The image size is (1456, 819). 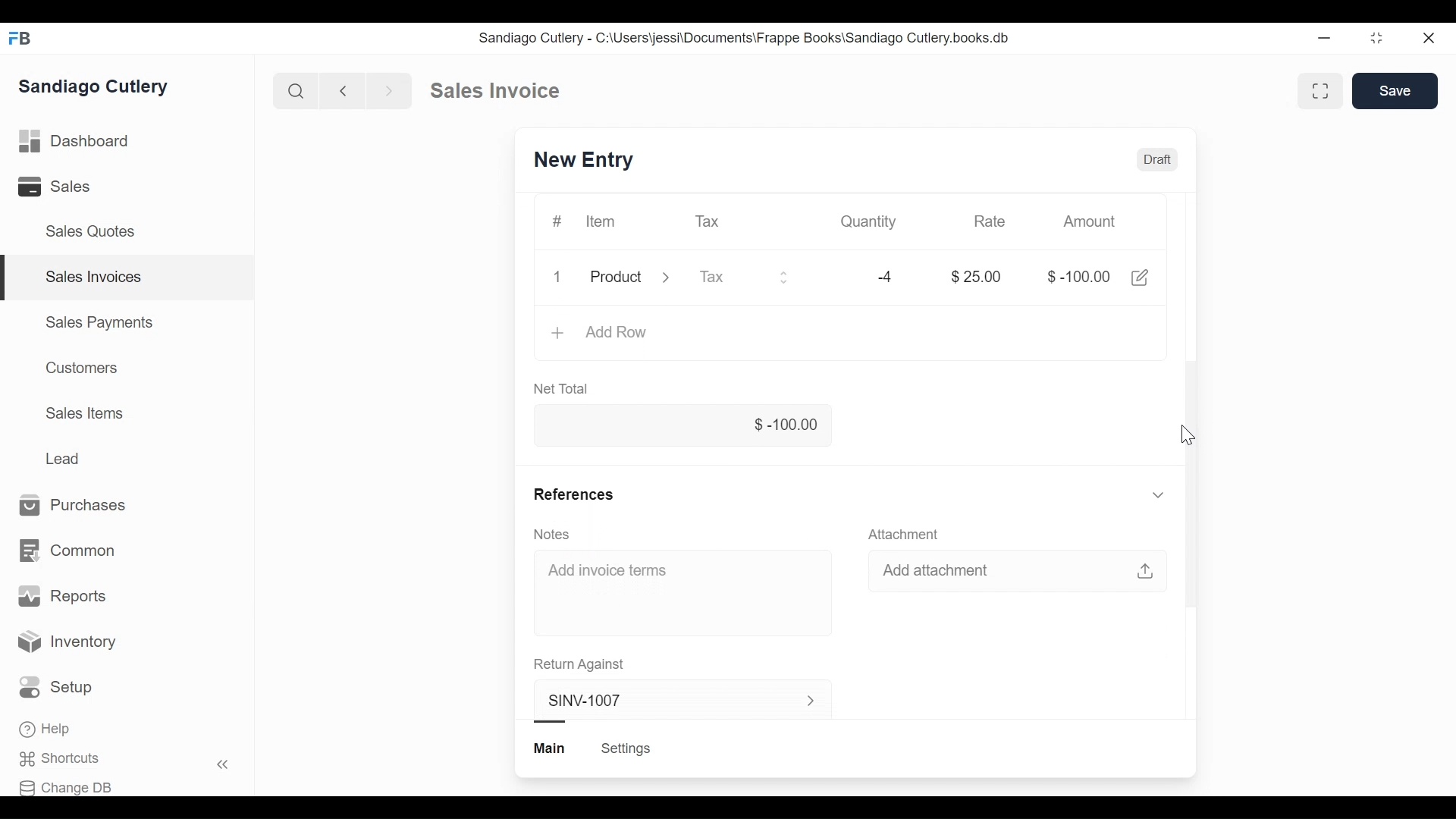 I want to click on FB, so click(x=23, y=39).